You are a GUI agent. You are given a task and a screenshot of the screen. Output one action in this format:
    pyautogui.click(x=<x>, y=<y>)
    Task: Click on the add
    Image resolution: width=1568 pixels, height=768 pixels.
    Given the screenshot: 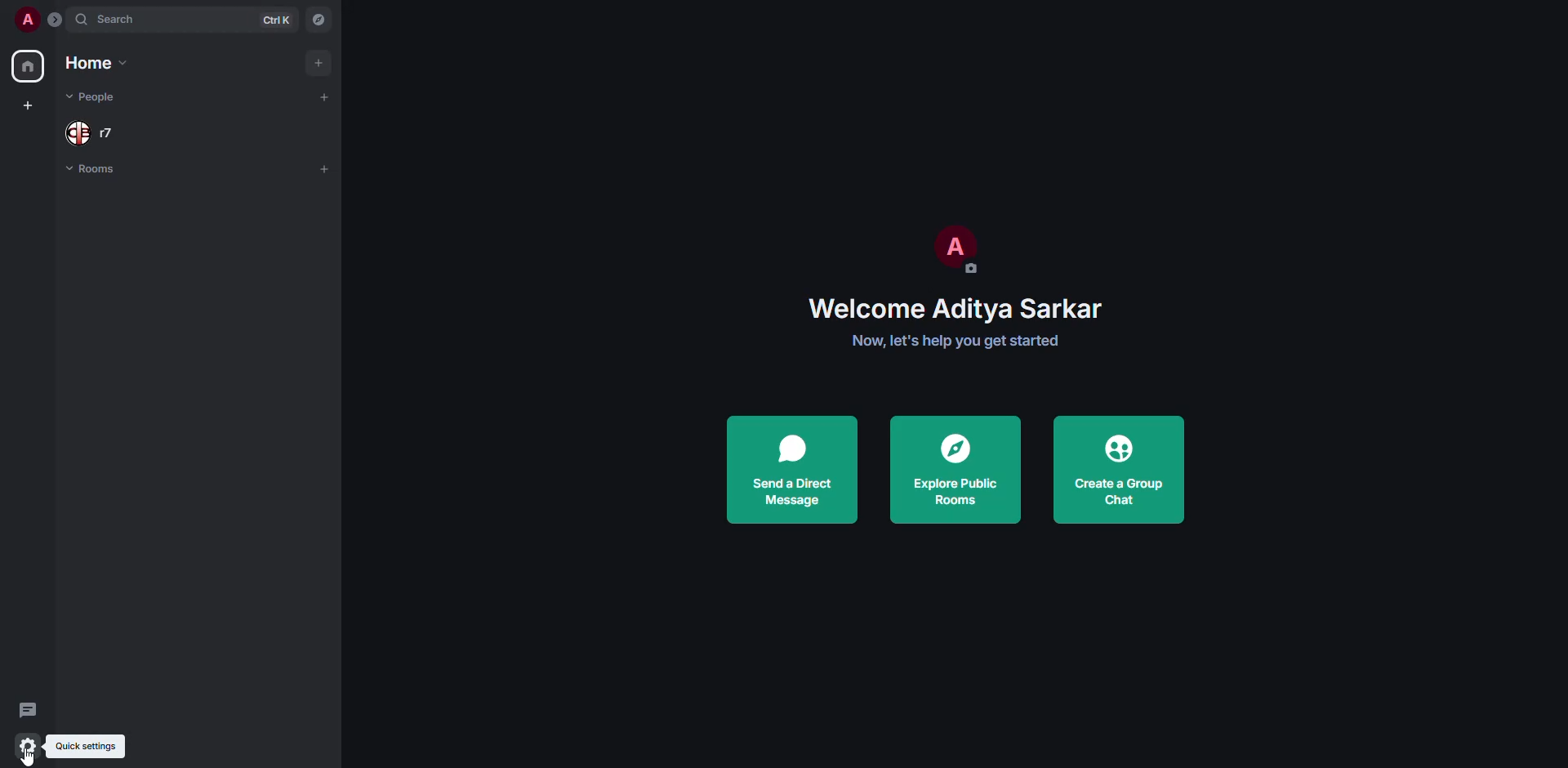 What is the action you would take?
    pyautogui.click(x=325, y=95)
    